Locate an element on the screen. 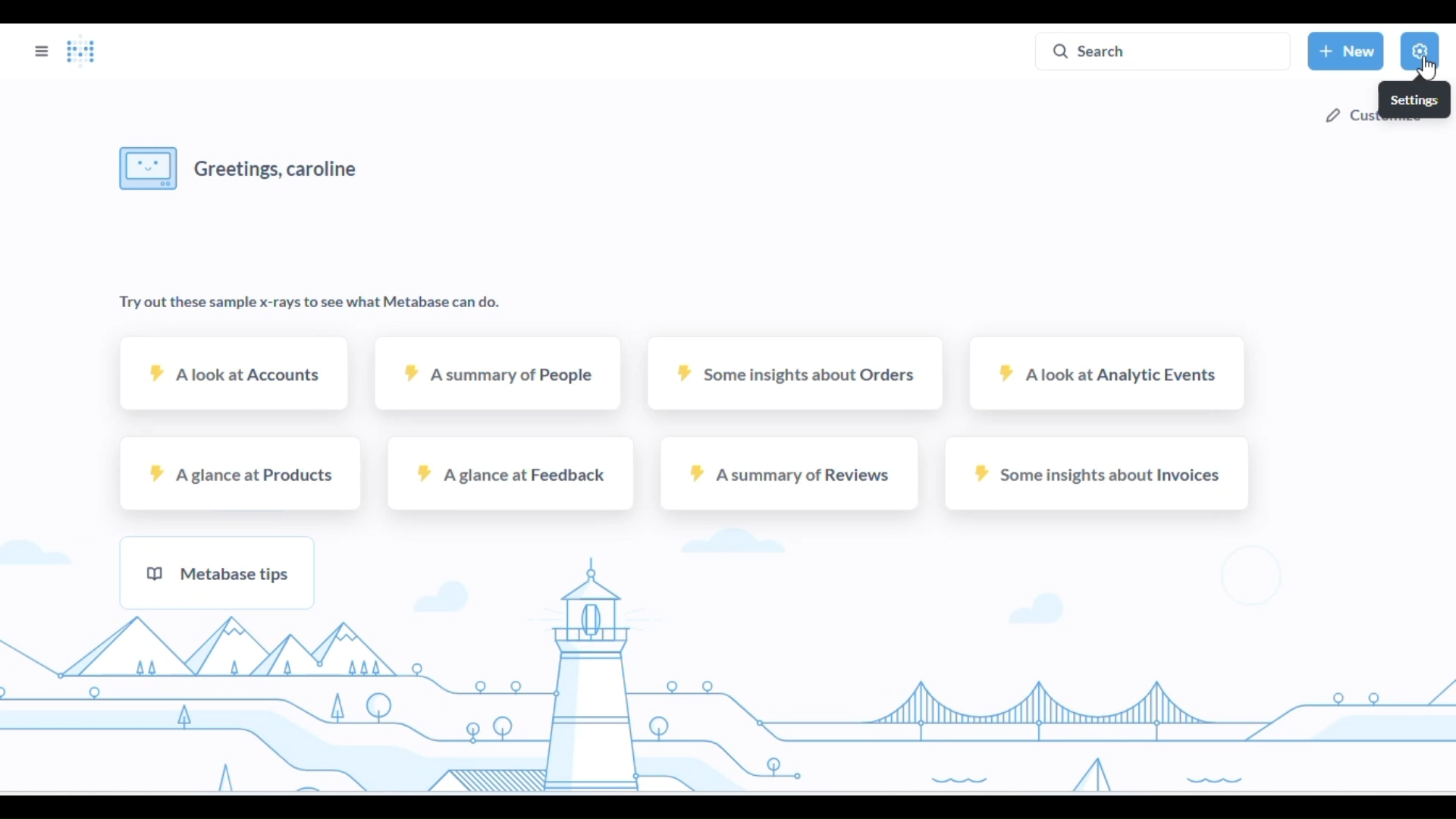 The width and height of the screenshot is (1456, 819). metabase tips is located at coordinates (217, 572).